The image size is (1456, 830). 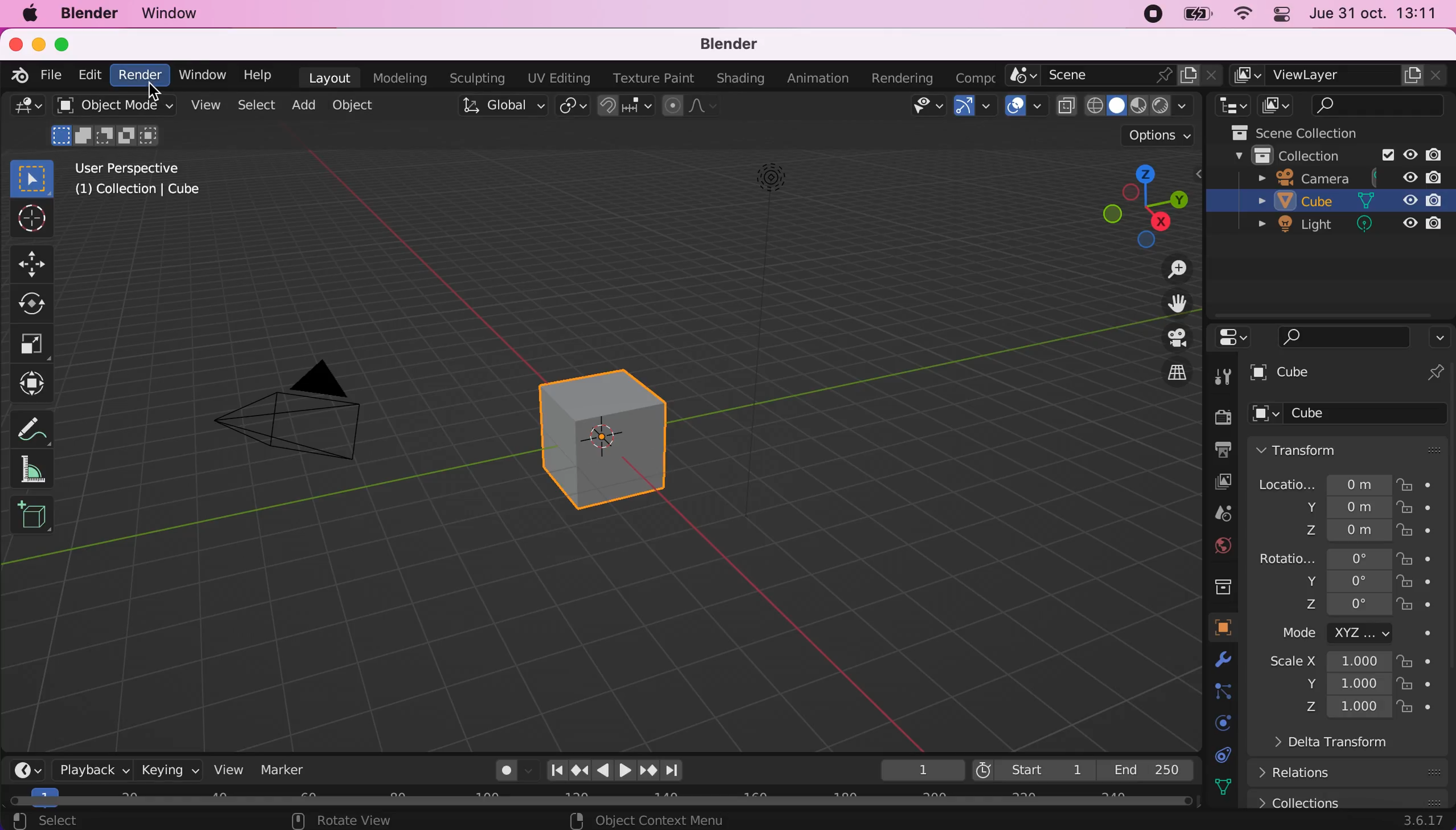 What do you see at coordinates (1229, 663) in the screenshot?
I see `physics` at bounding box center [1229, 663].